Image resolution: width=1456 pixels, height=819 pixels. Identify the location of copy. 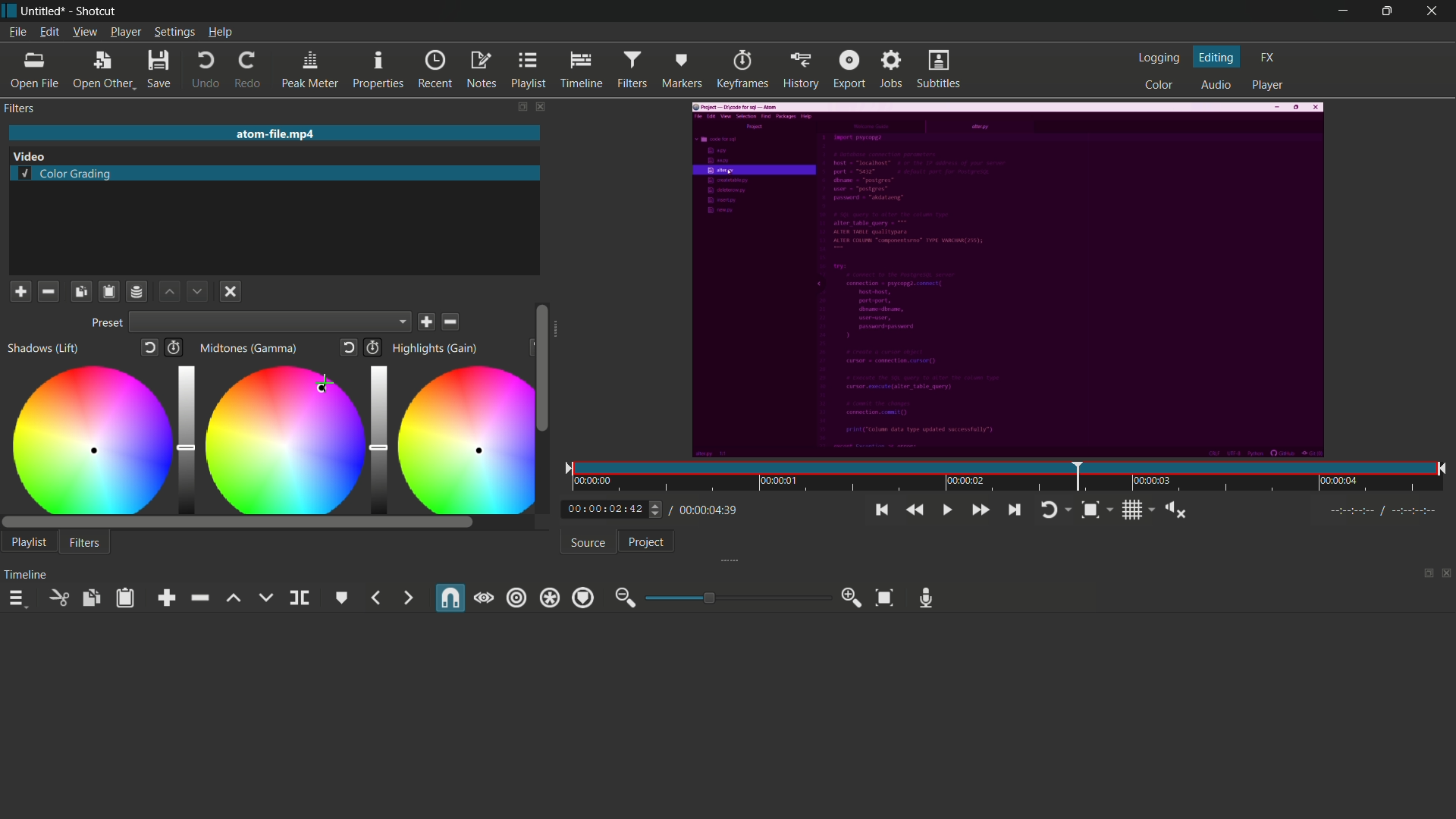
(90, 598).